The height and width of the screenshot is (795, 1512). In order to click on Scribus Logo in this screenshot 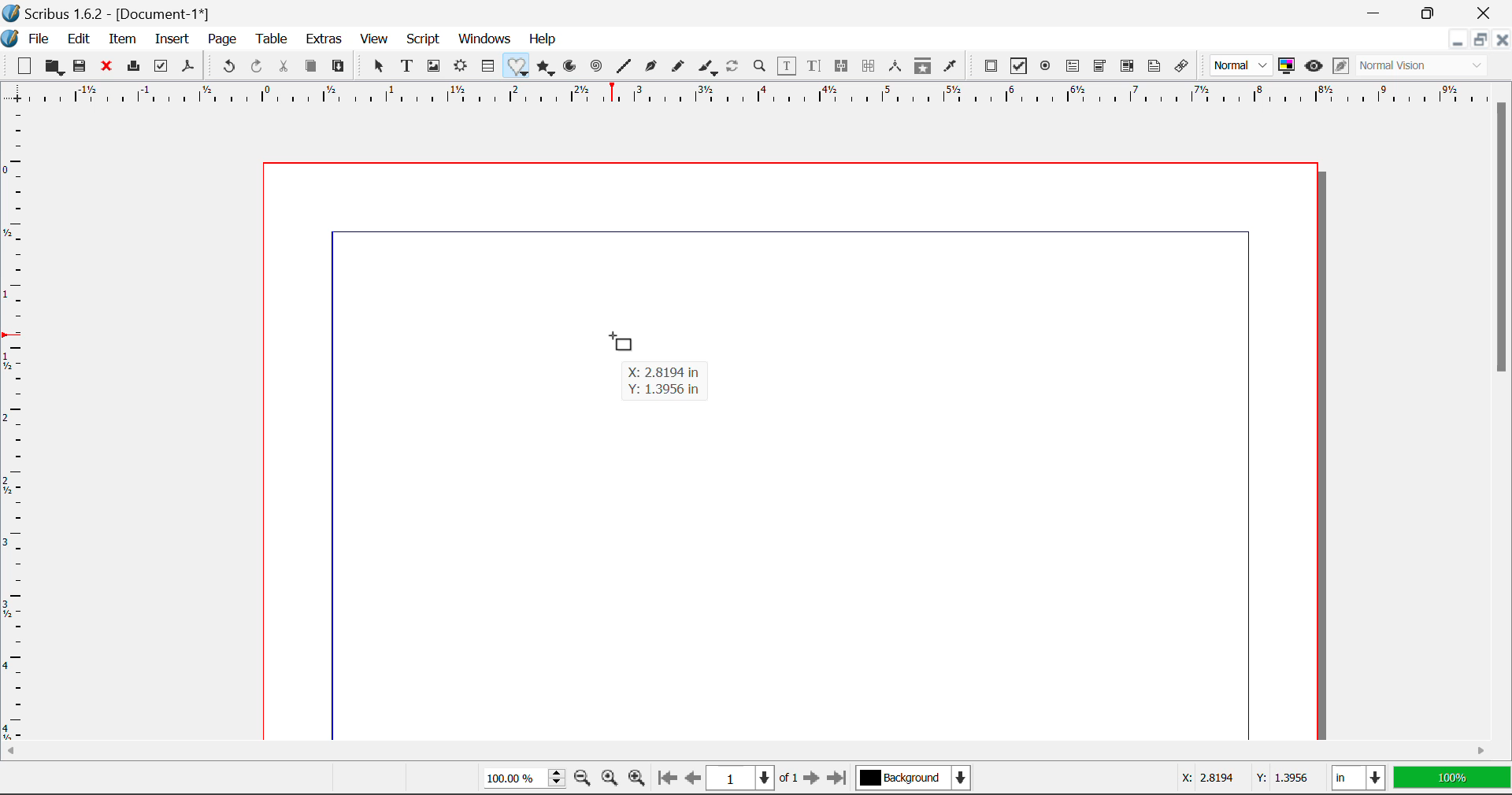, I will do `click(9, 39)`.